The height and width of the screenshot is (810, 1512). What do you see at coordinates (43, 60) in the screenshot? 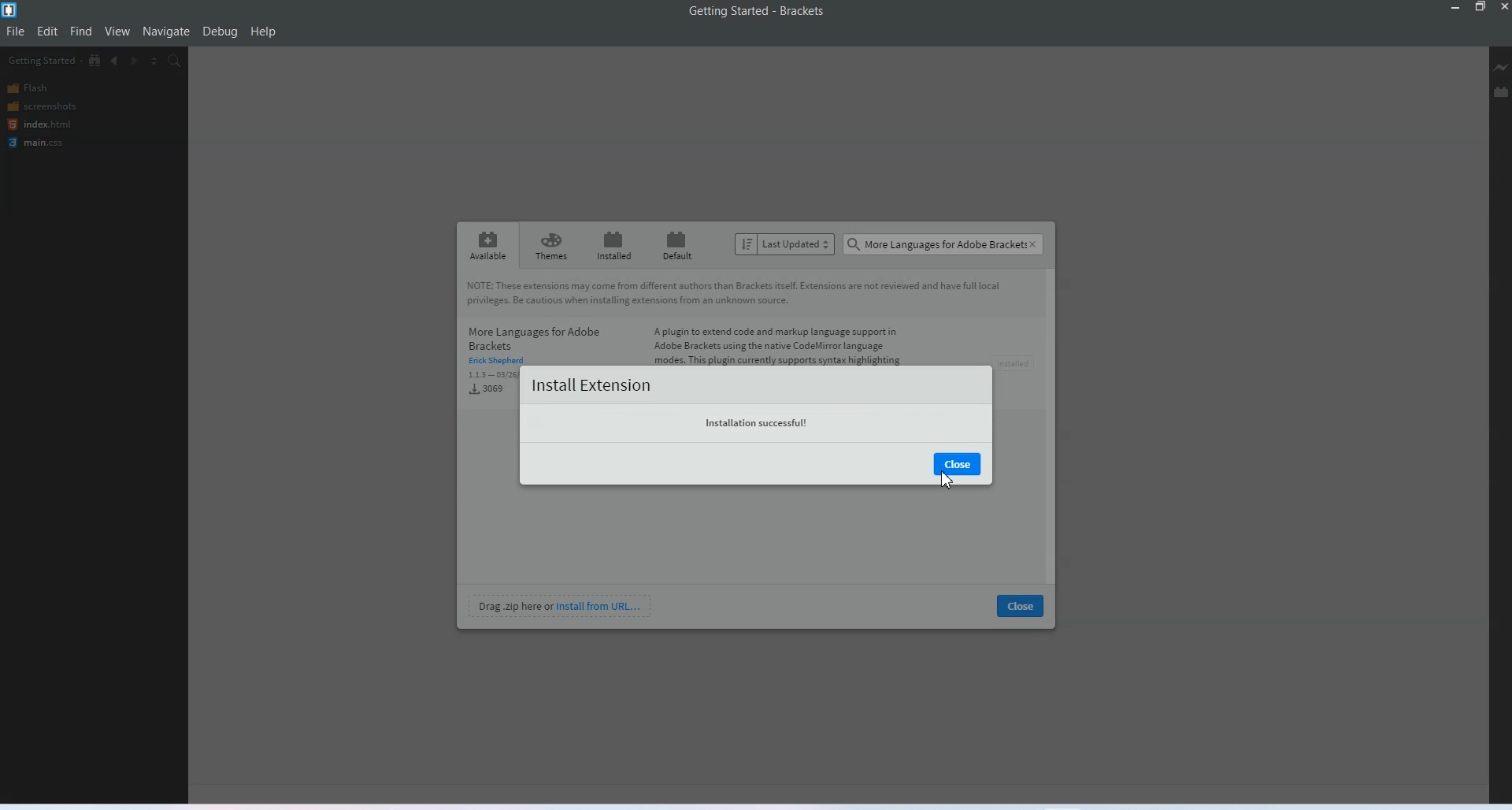
I see `Getting Started` at bounding box center [43, 60].